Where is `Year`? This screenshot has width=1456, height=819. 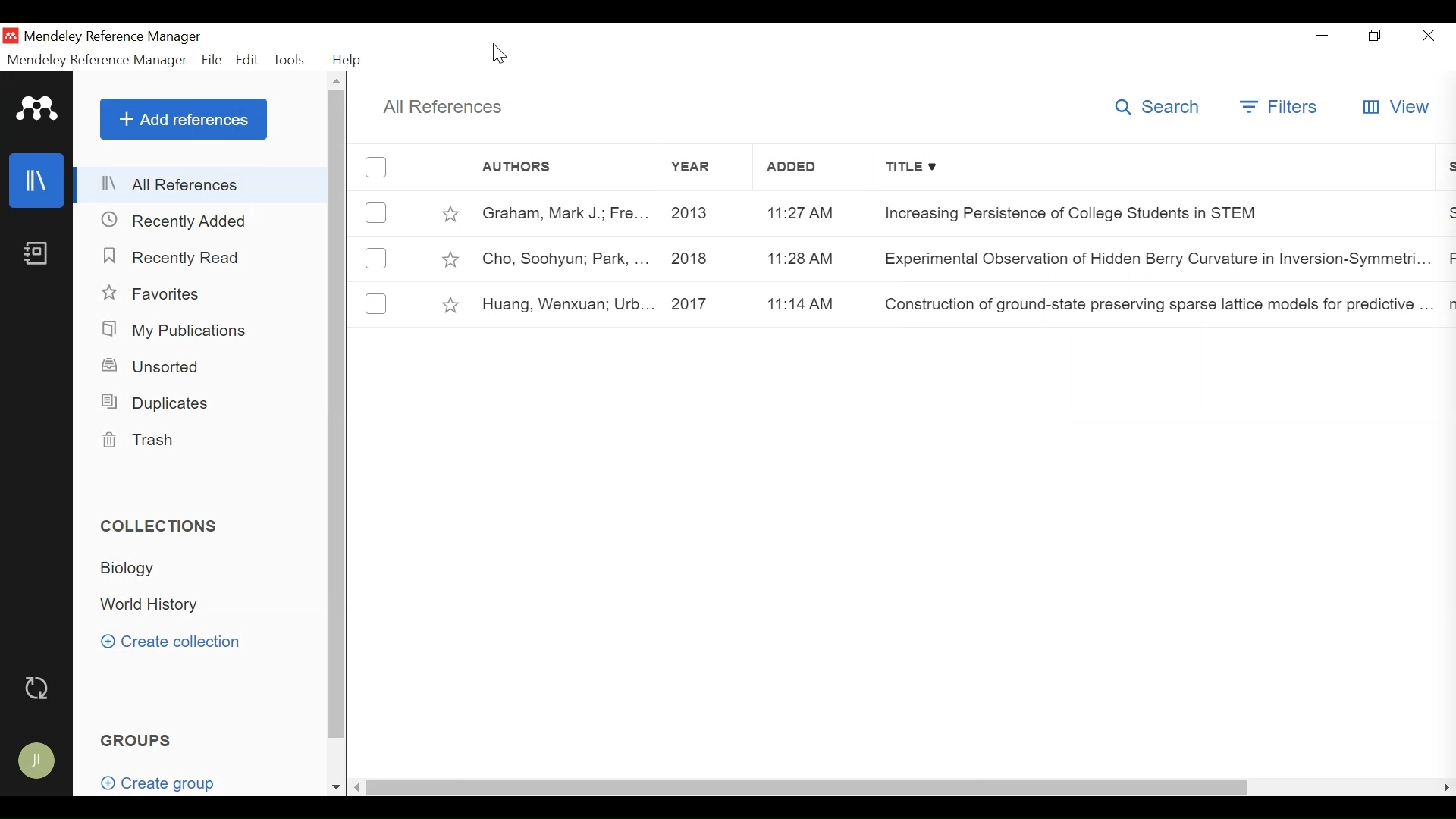
Year is located at coordinates (707, 303).